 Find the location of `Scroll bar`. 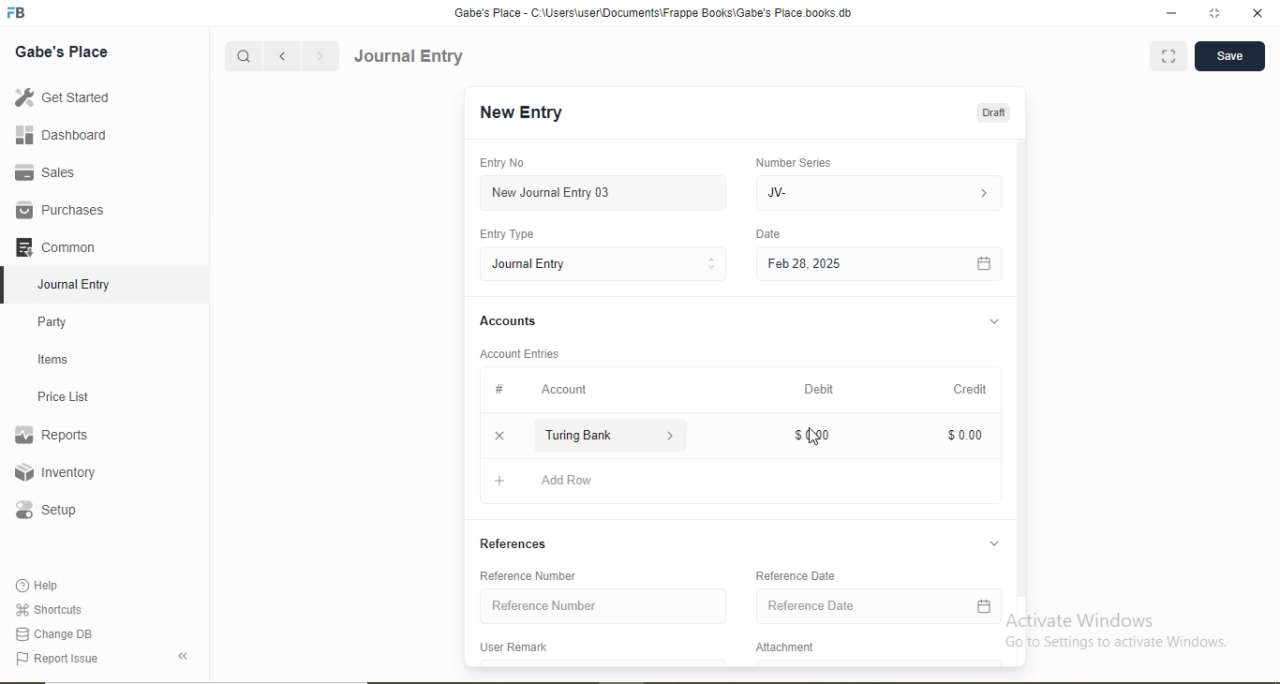

Scroll bar is located at coordinates (1021, 386).